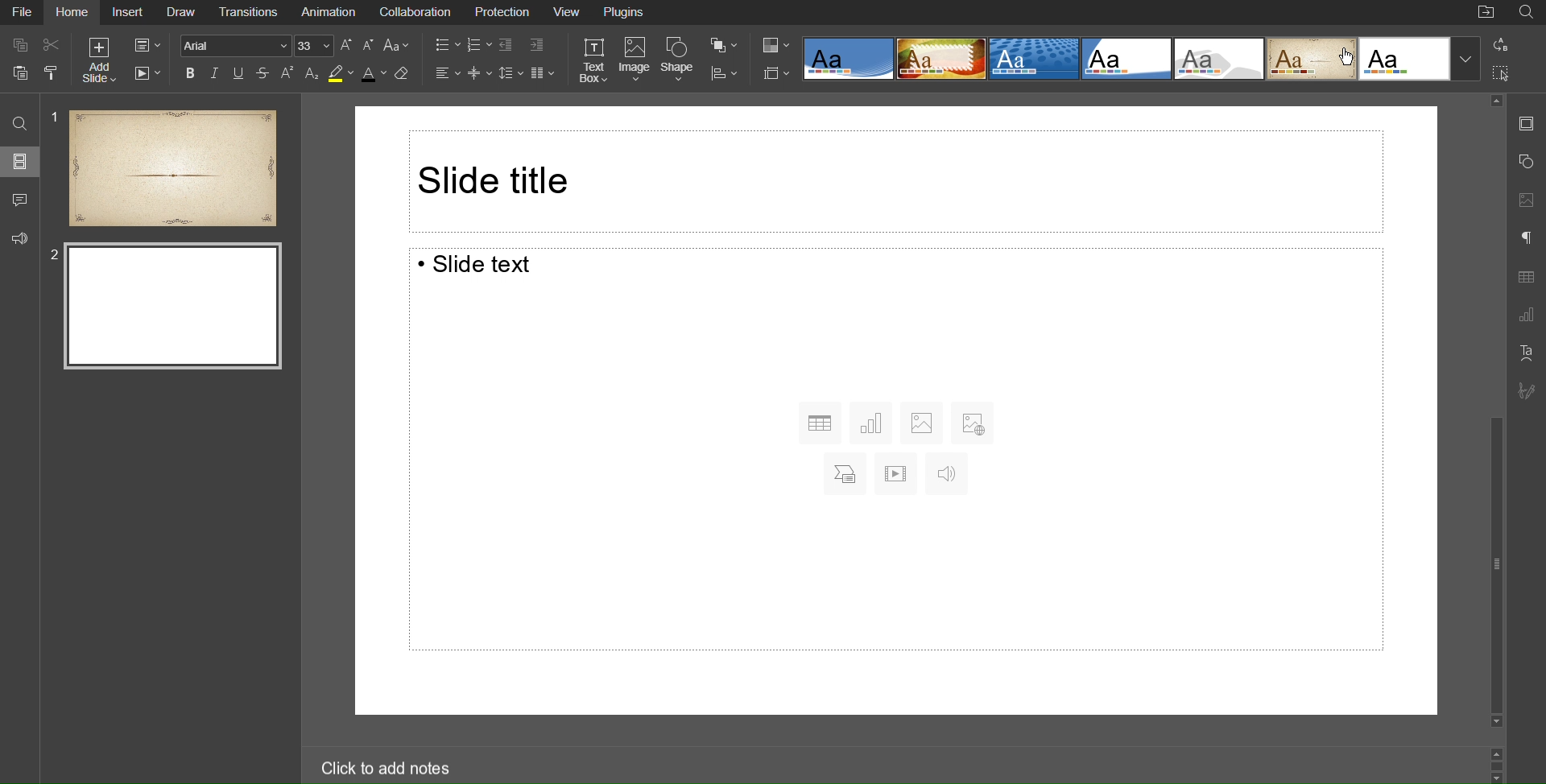 The width and height of the screenshot is (1546, 784). What do you see at coordinates (19, 235) in the screenshot?
I see `Feedback and Support` at bounding box center [19, 235].